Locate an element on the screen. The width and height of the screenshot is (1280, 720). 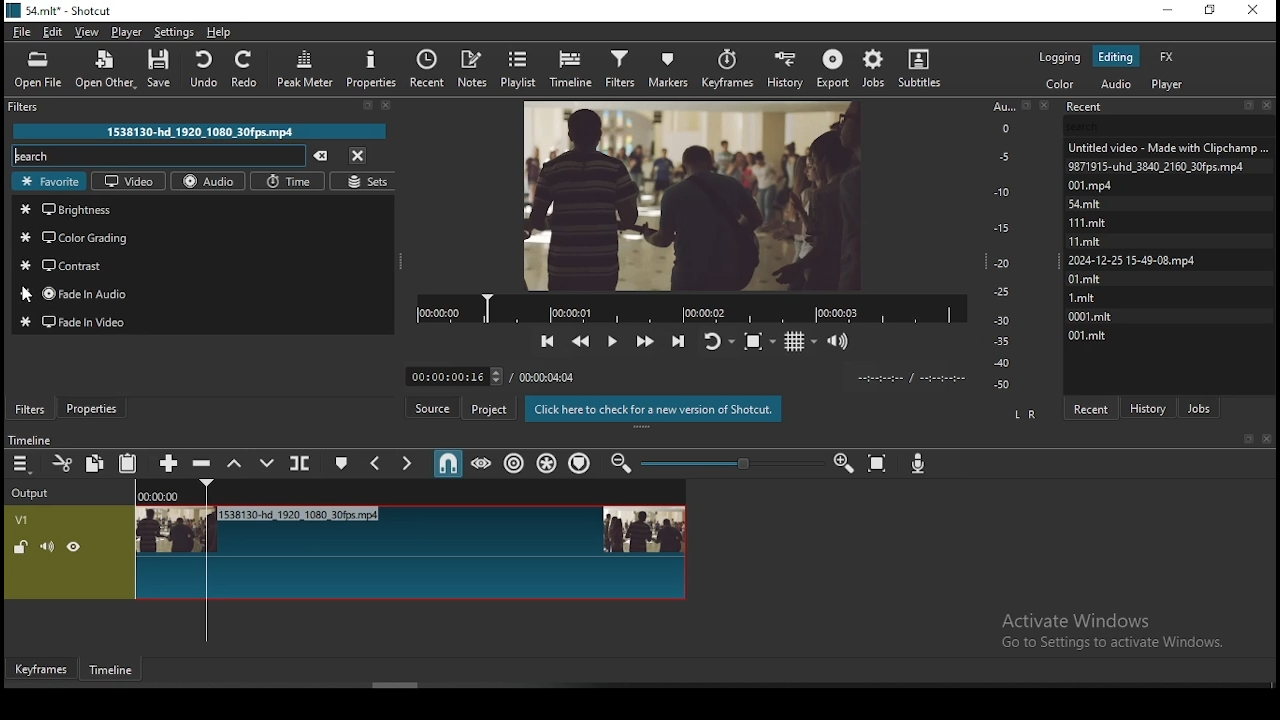
snap is located at coordinates (443, 464).